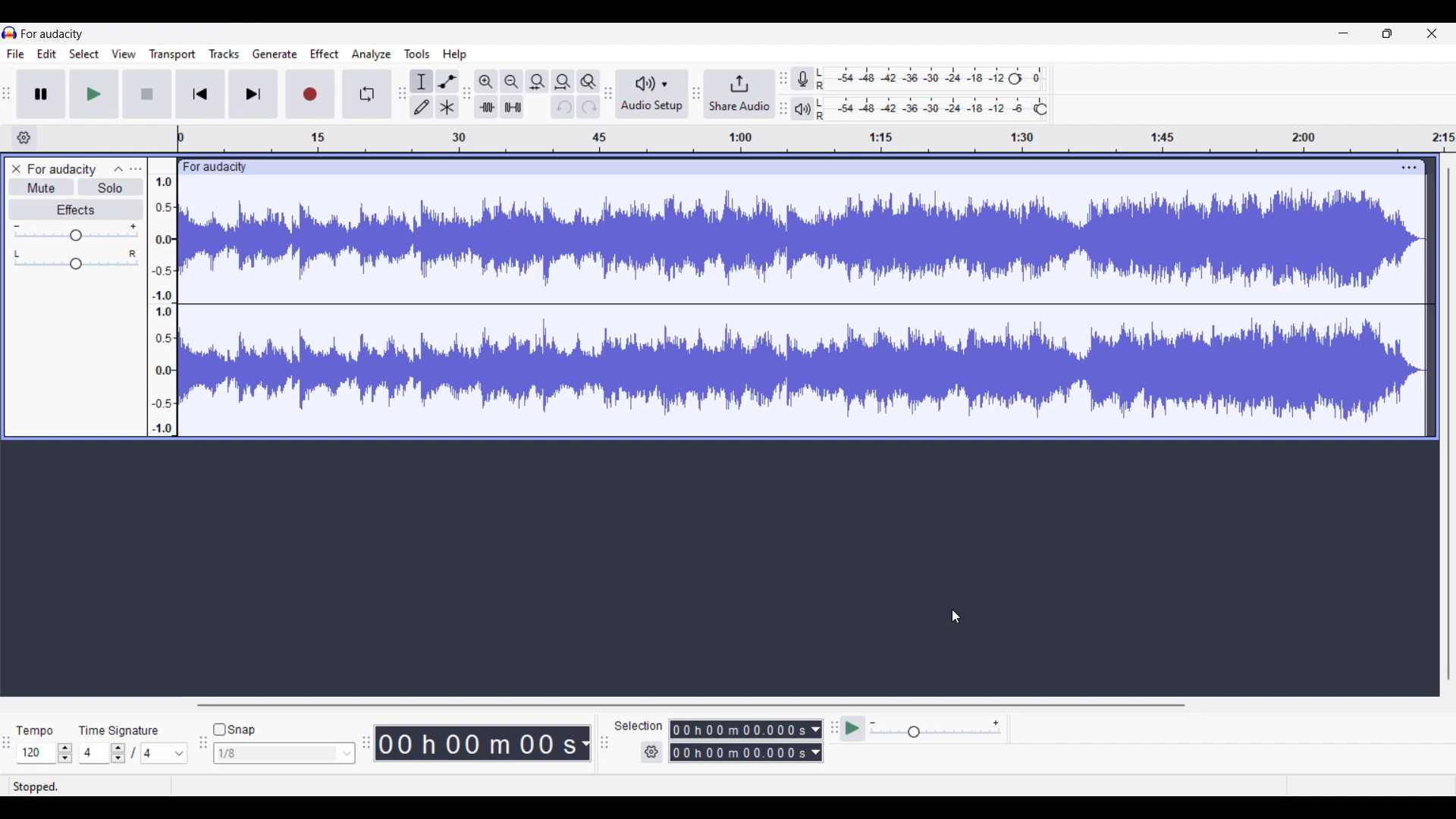 This screenshot has width=1456, height=819. Describe the element at coordinates (133, 226) in the screenshot. I see `Increase volume` at that location.